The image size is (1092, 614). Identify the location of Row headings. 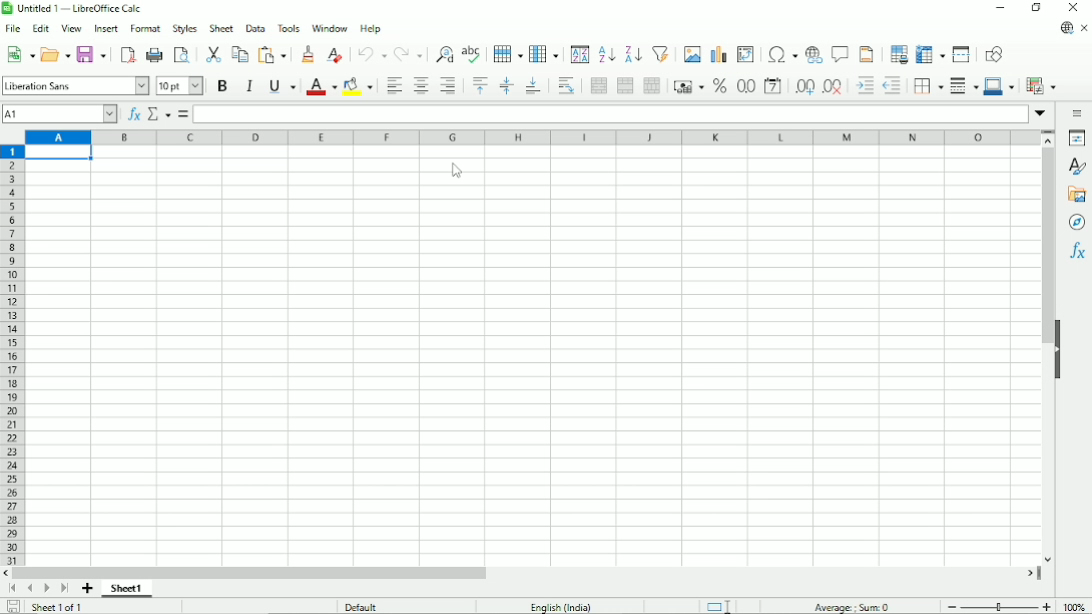
(14, 356).